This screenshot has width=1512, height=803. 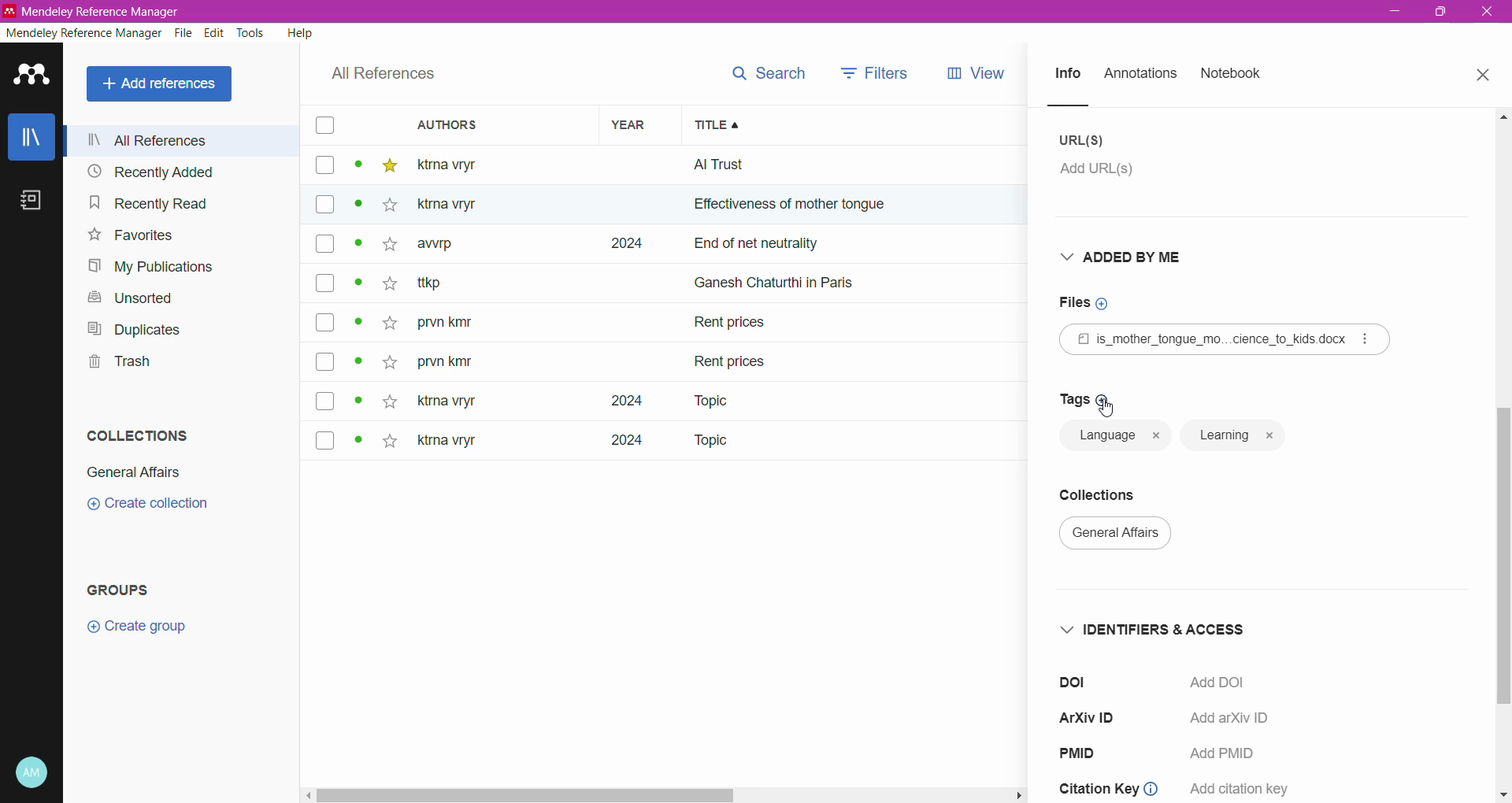 I want to click on Collections, so click(x=1109, y=491).